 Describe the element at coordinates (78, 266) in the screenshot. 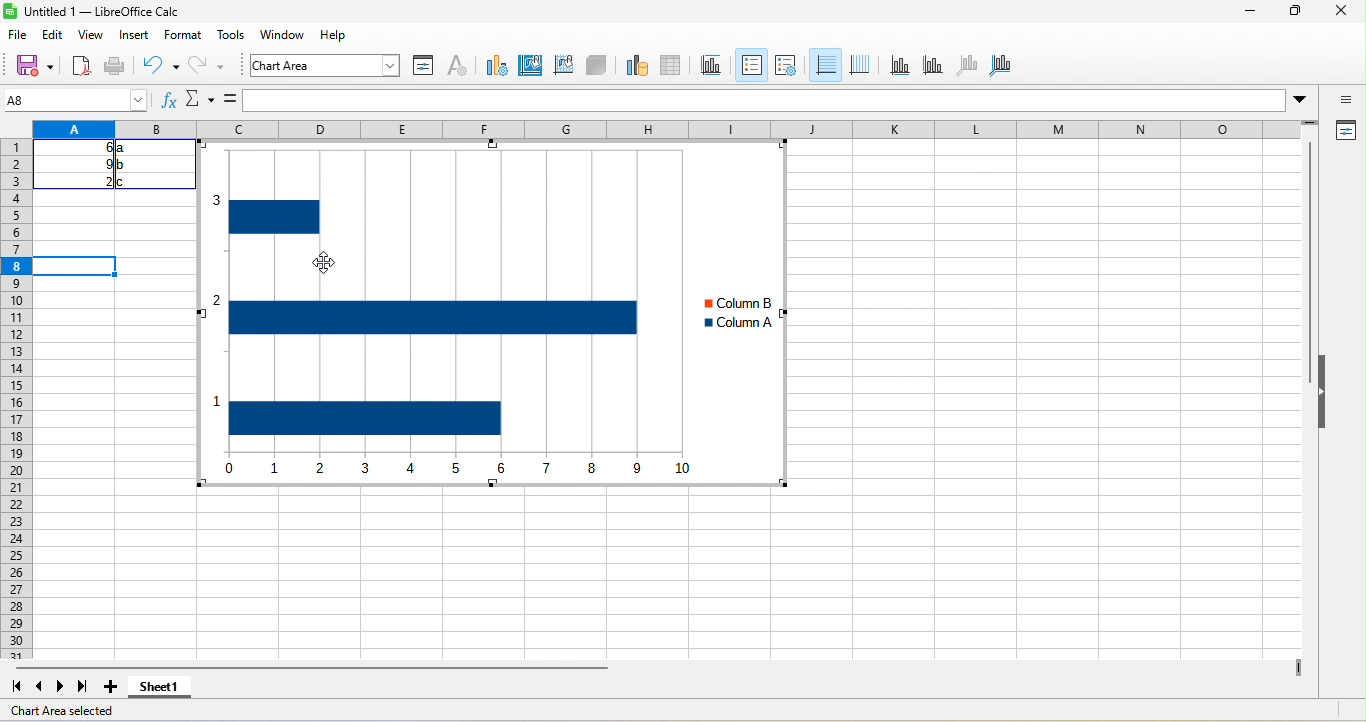

I see `cell selected` at that location.